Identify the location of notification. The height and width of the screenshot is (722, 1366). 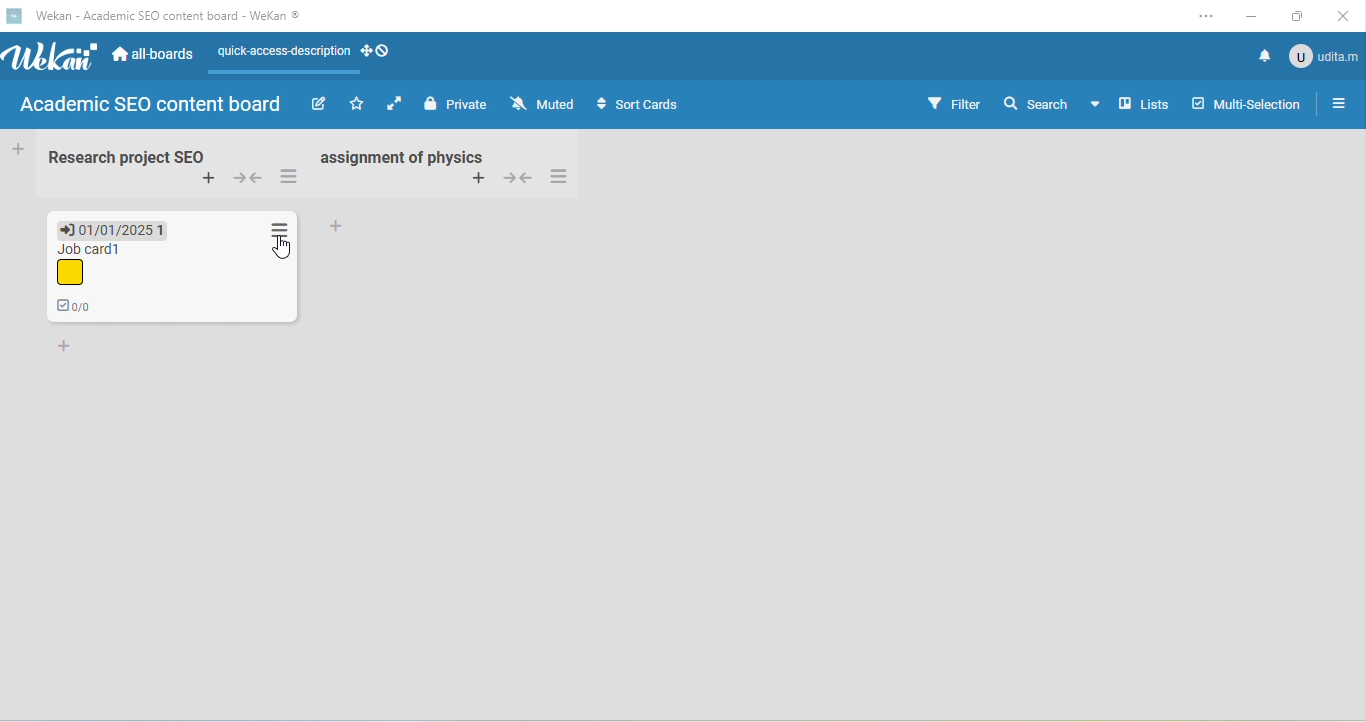
(1266, 56).